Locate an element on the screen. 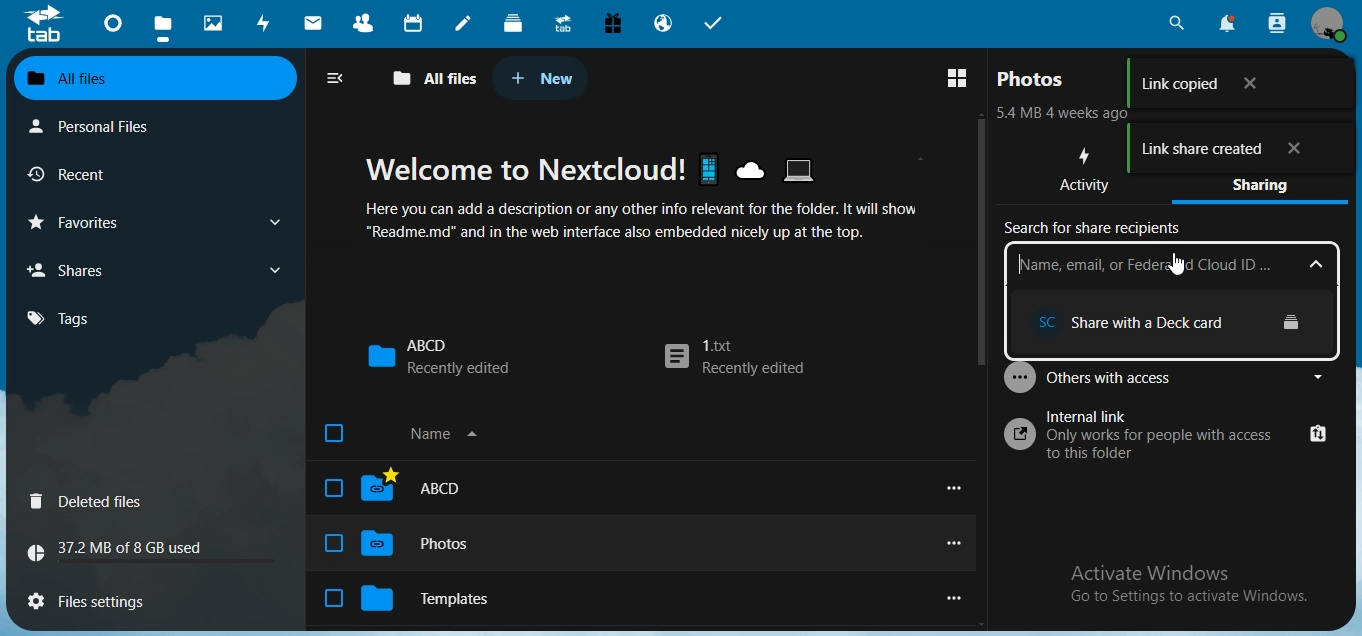 Image resolution: width=1362 pixels, height=636 pixels. show grid view is located at coordinates (957, 80).